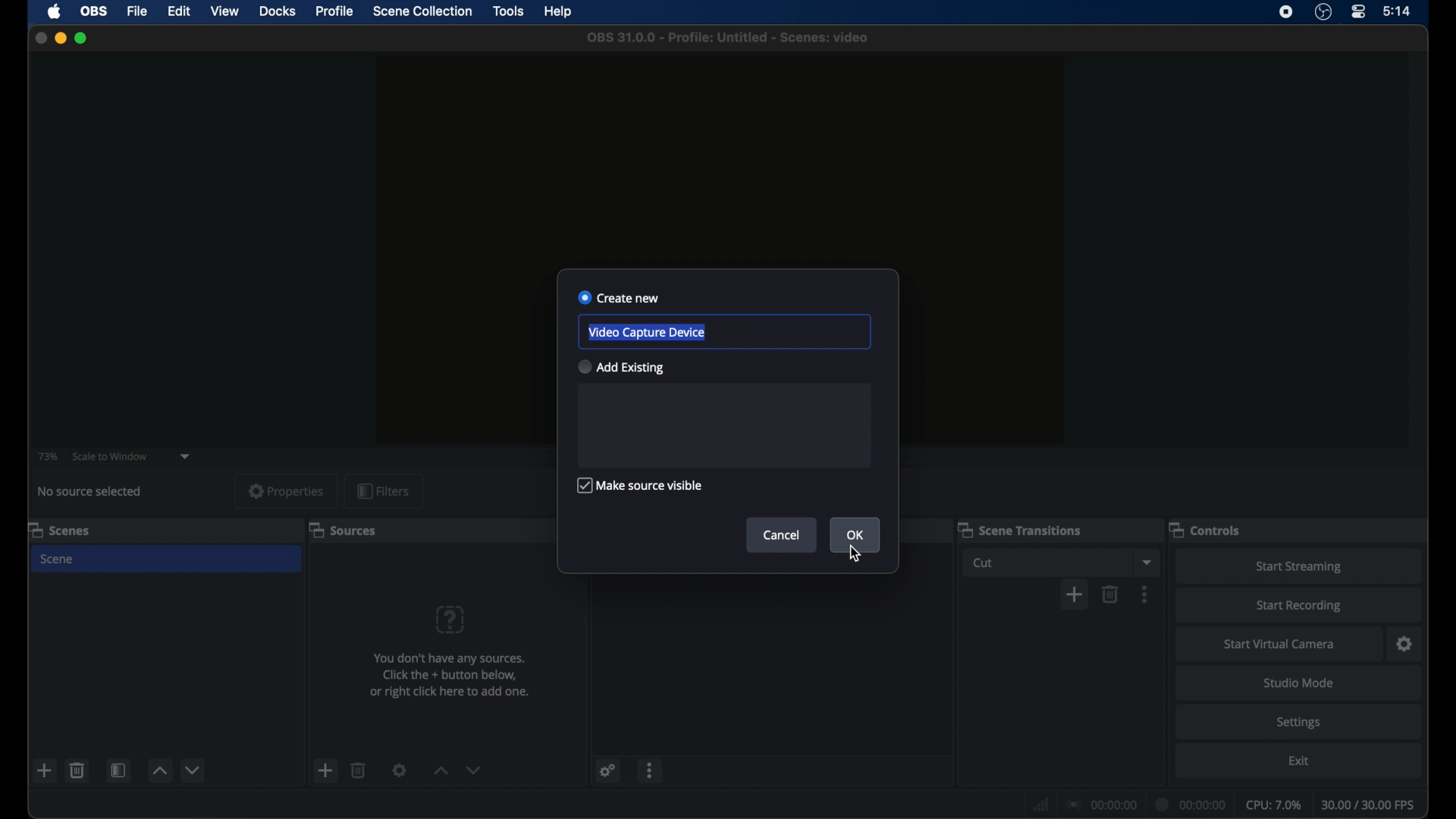  Describe the element at coordinates (90, 491) in the screenshot. I see `no source selected` at that location.